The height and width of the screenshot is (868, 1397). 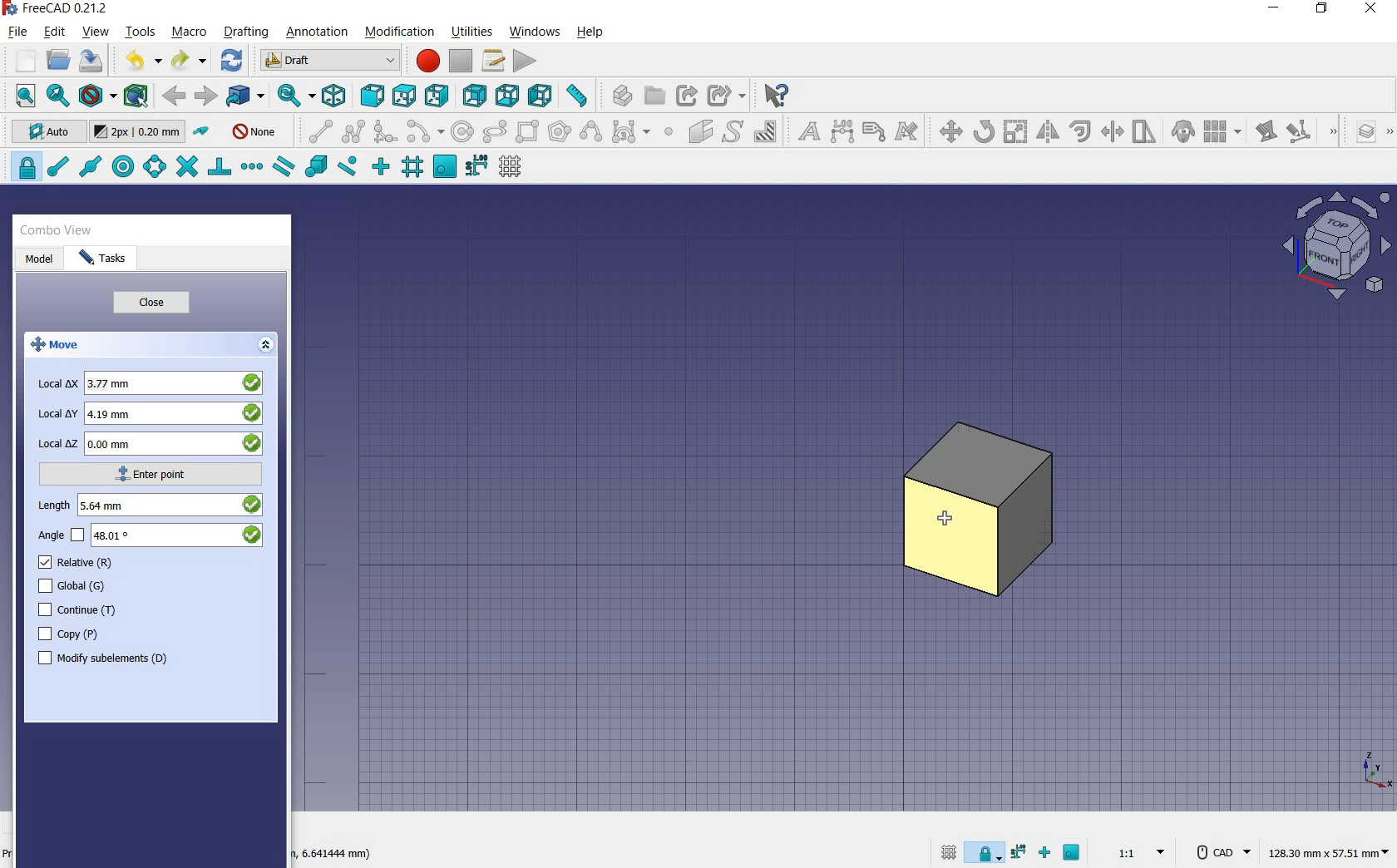 I want to click on undo, so click(x=137, y=60).